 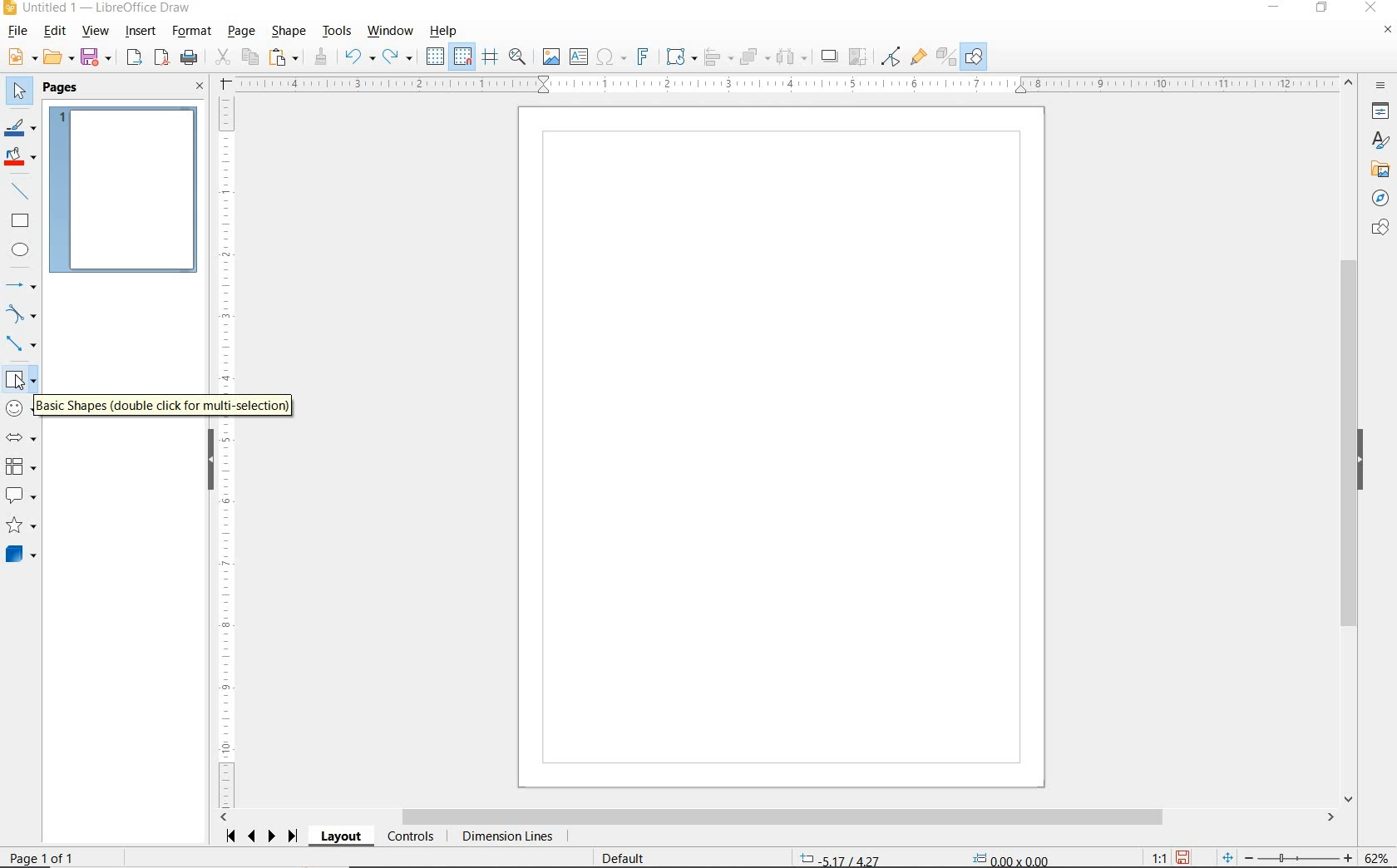 What do you see at coordinates (410, 837) in the screenshot?
I see `CONTROLS` at bounding box center [410, 837].